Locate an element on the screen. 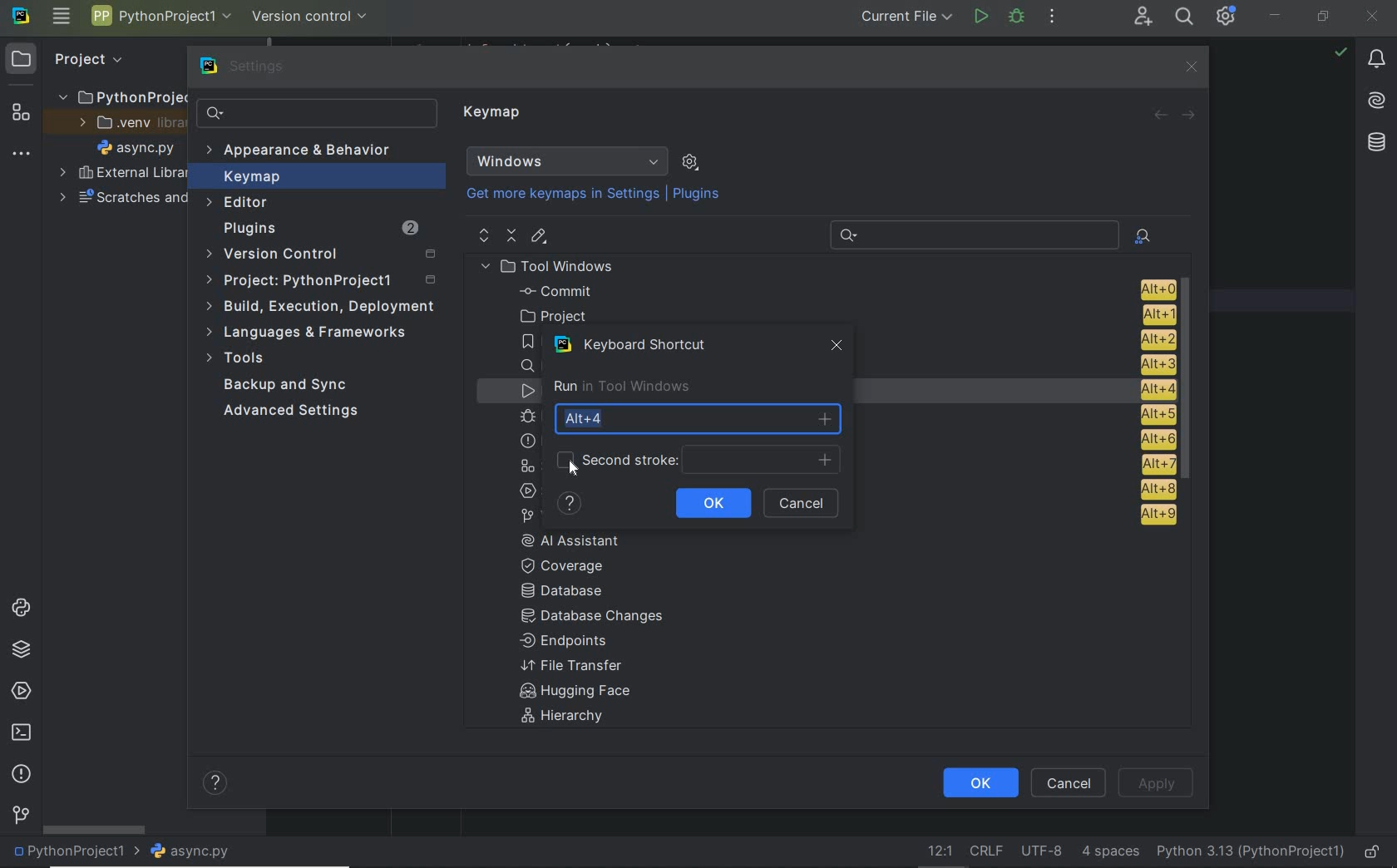 This screenshot has width=1397, height=868. ok is located at coordinates (713, 501).